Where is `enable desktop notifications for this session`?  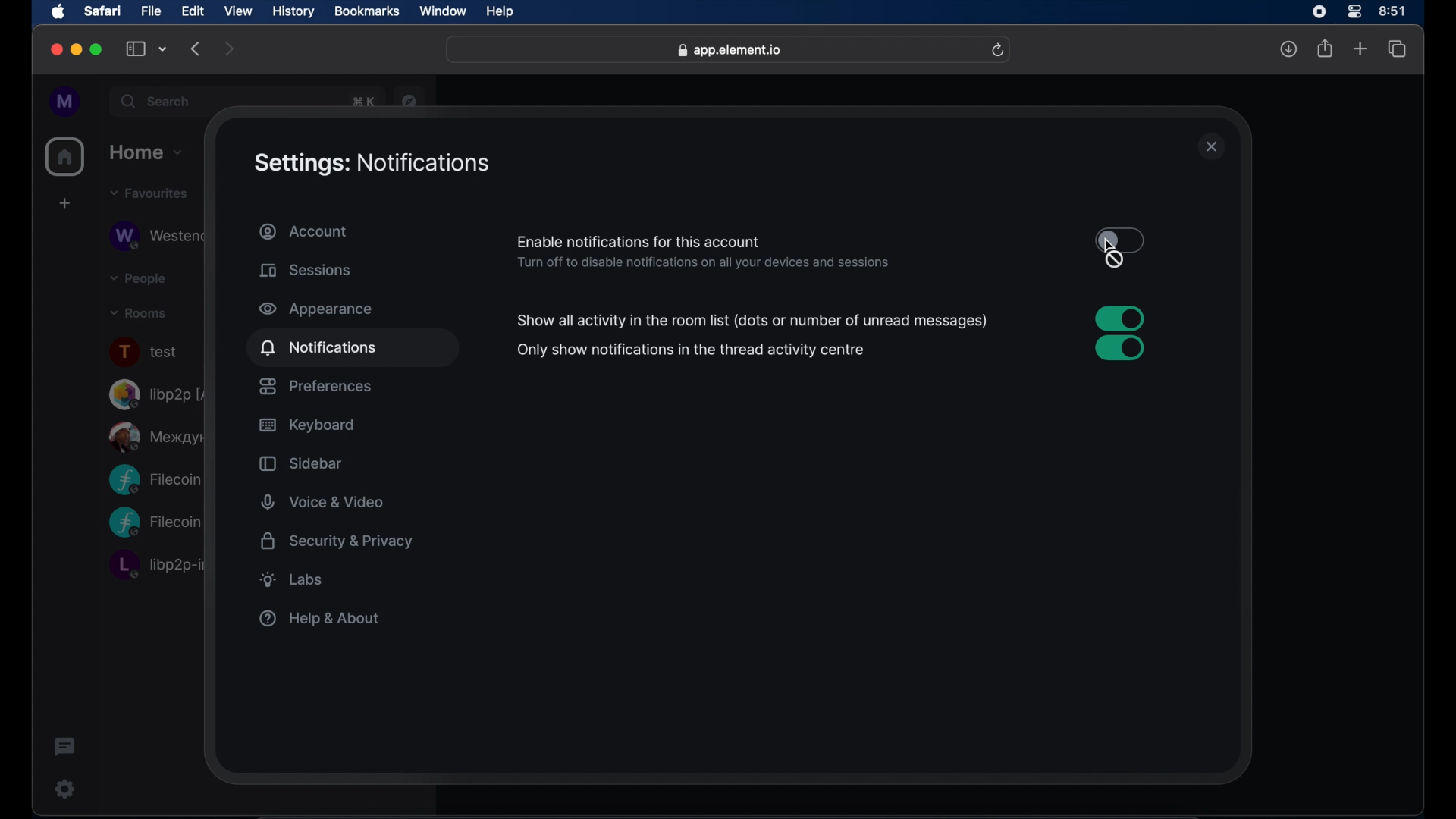
enable desktop notifications for this session is located at coordinates (752, 322).